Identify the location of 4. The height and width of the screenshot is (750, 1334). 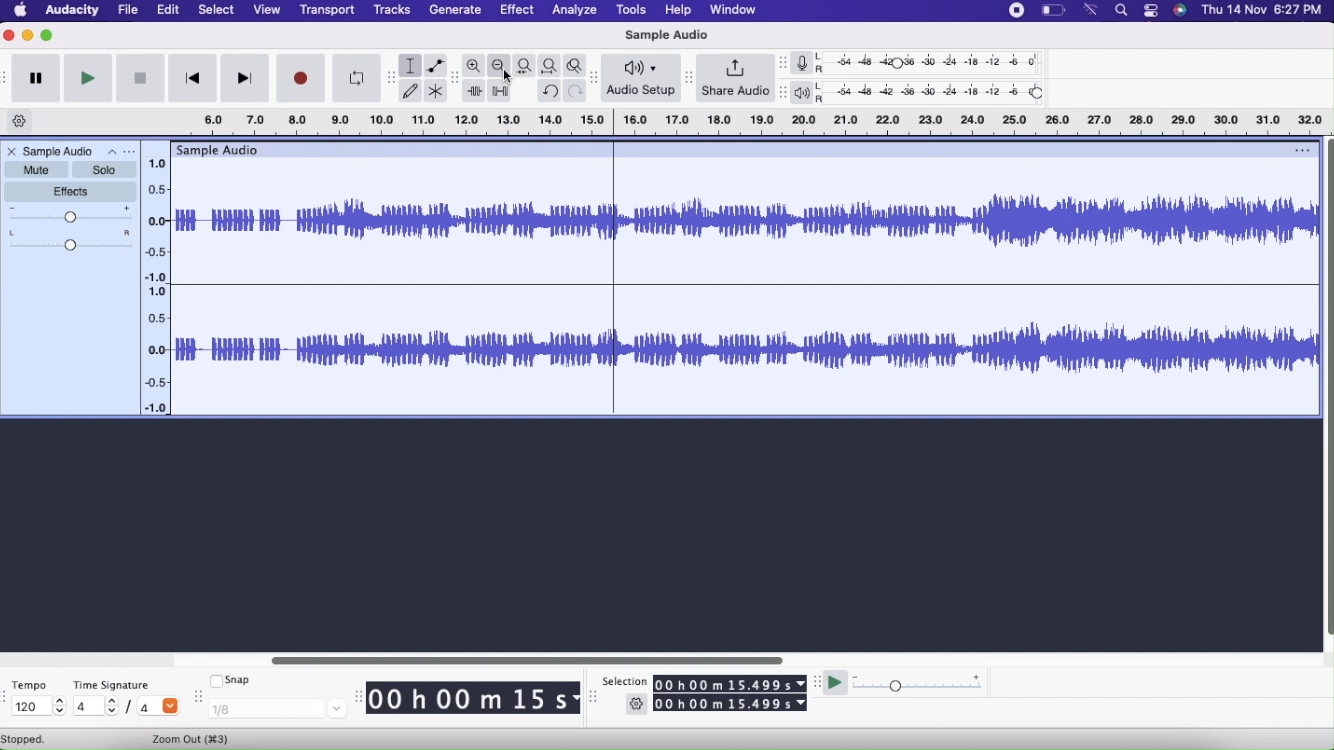
(159, 708).